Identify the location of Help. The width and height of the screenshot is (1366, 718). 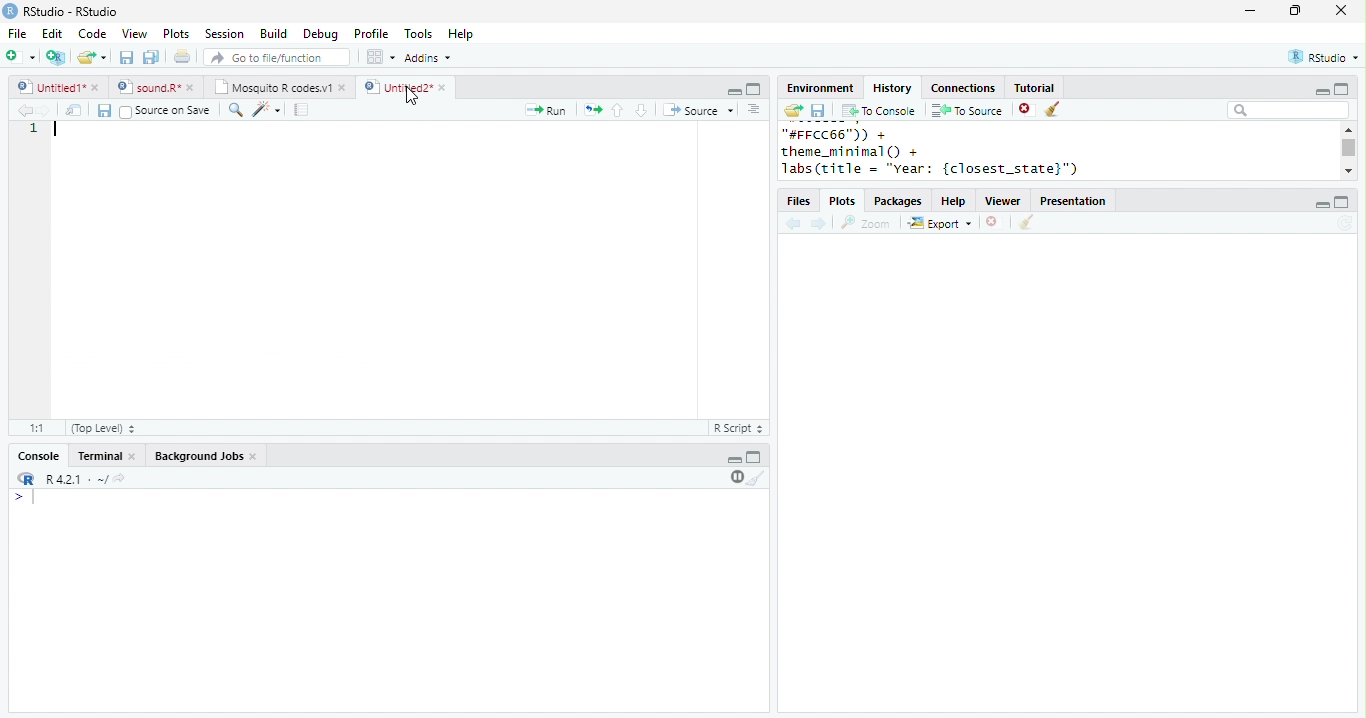
(461, 35).